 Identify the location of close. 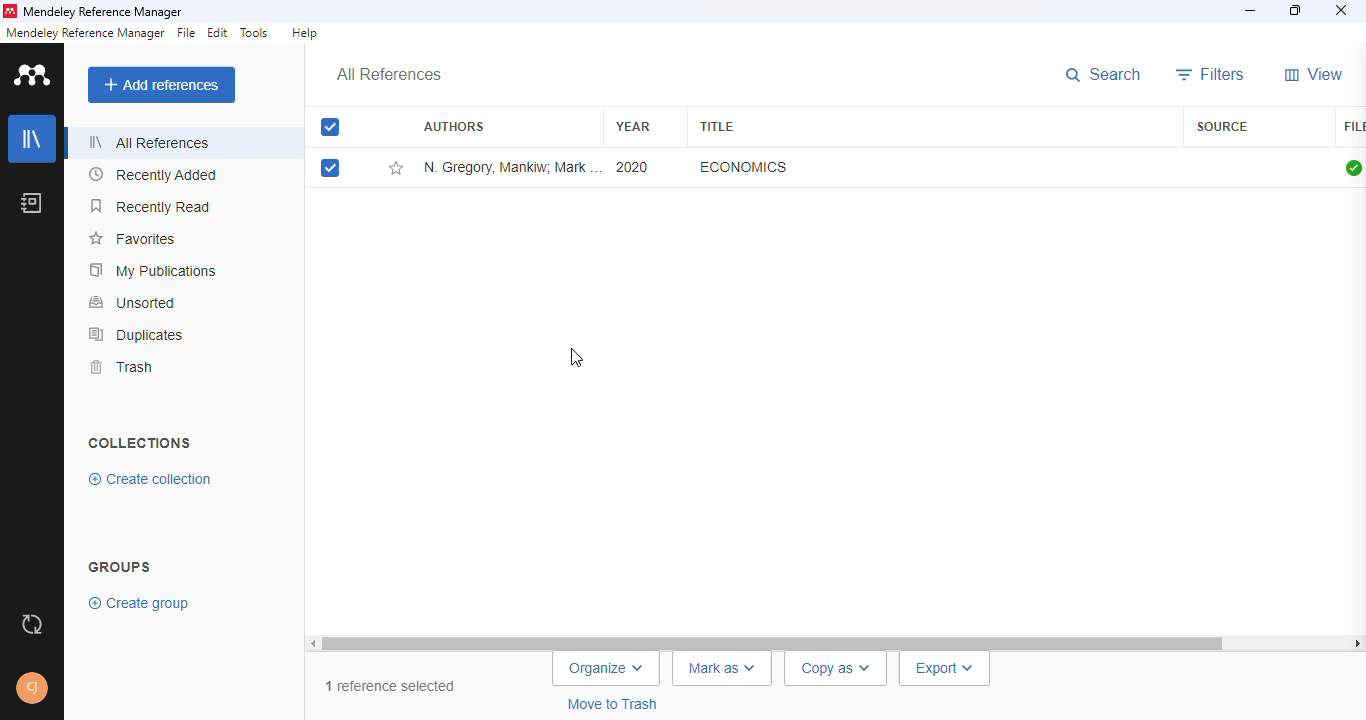
(1343, 11).